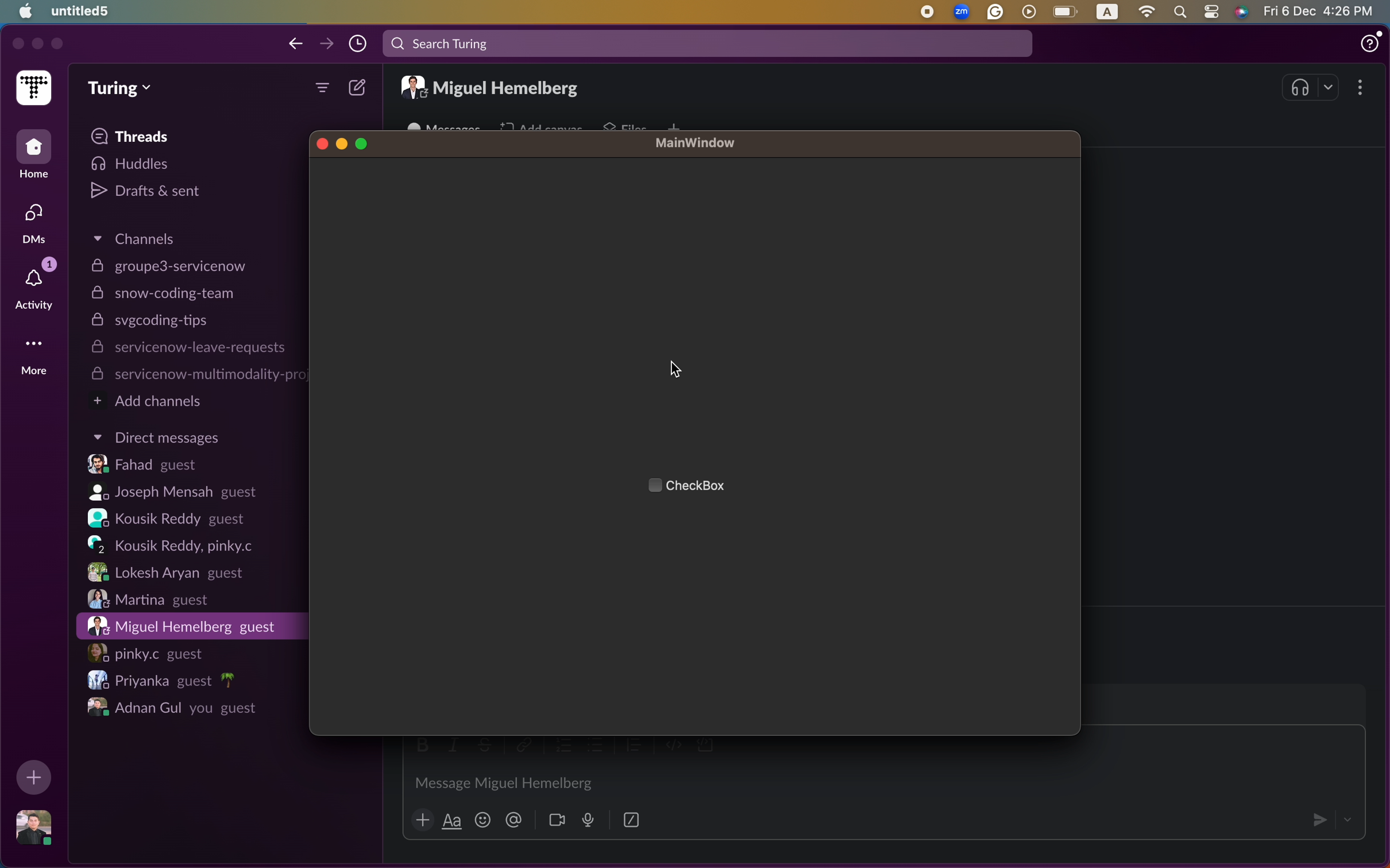 The width and height of the screenshot is (1390, 868). Describe the element at coordinates (166, 294) in the screenshot. I see `snow coding team` at that location.